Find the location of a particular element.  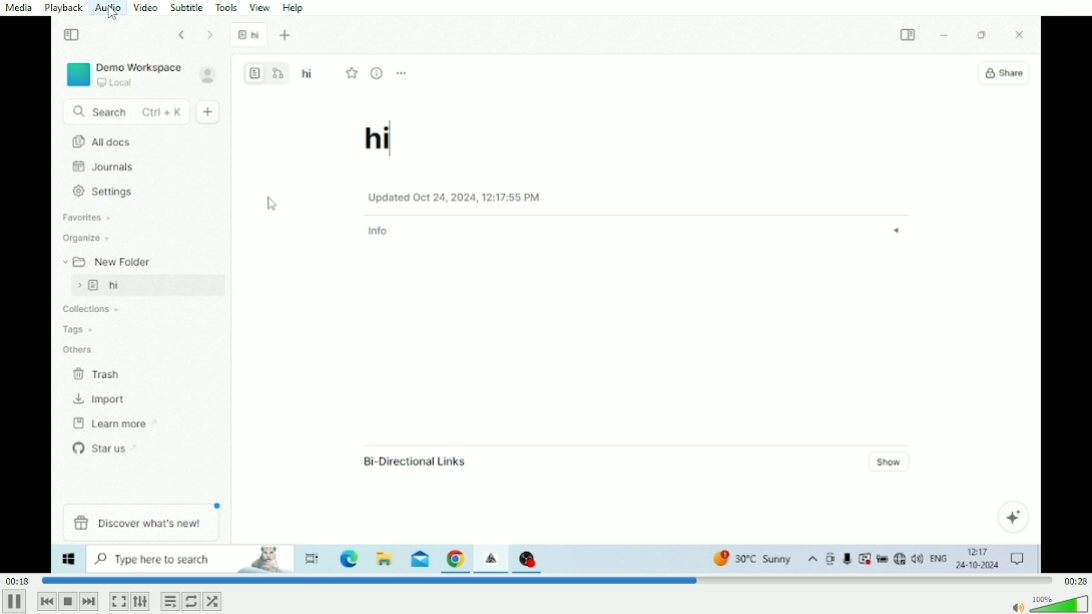

Pause/Play is located at coordinates (15, 601).